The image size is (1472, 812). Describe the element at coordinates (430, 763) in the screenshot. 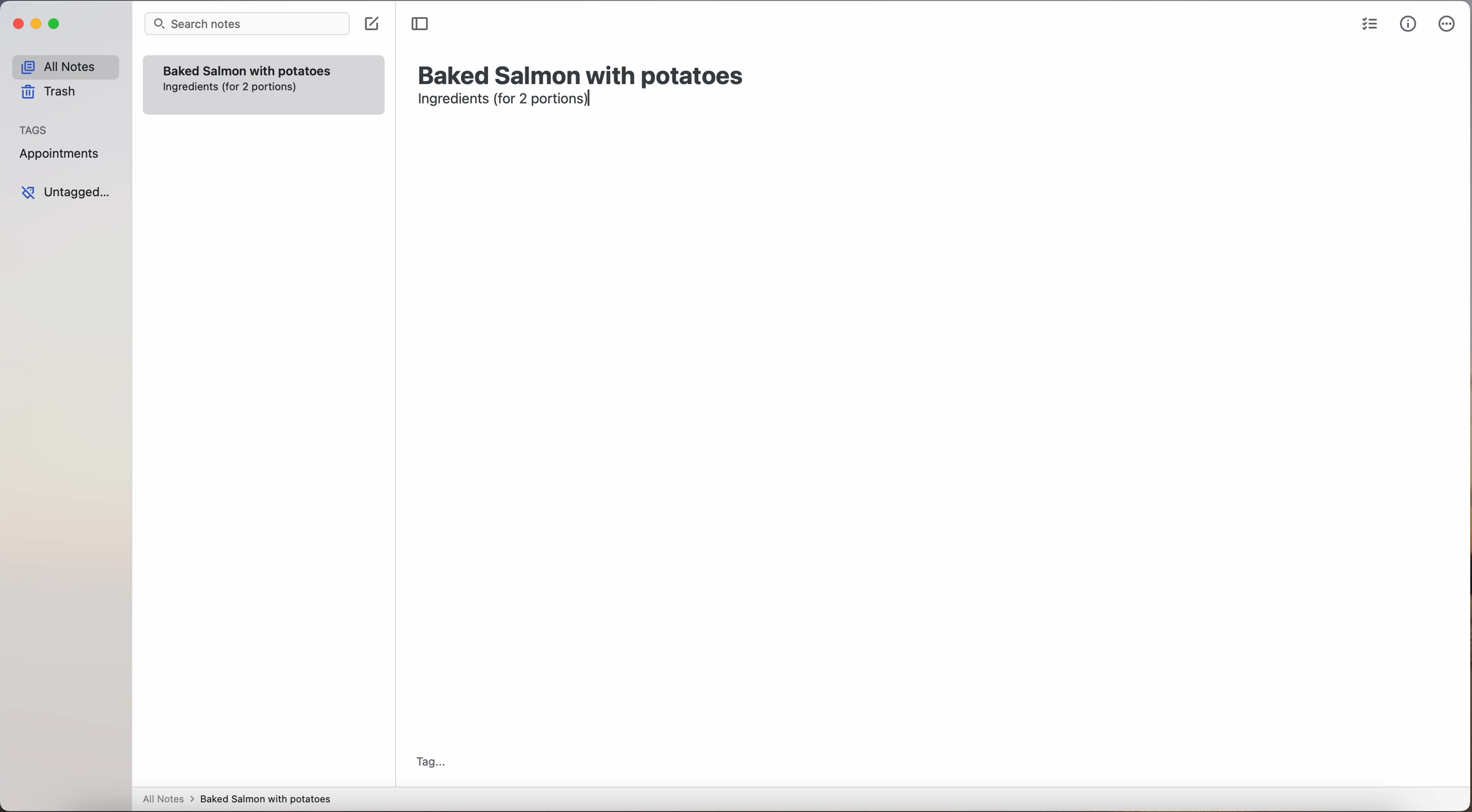

I see `tag` at that location.